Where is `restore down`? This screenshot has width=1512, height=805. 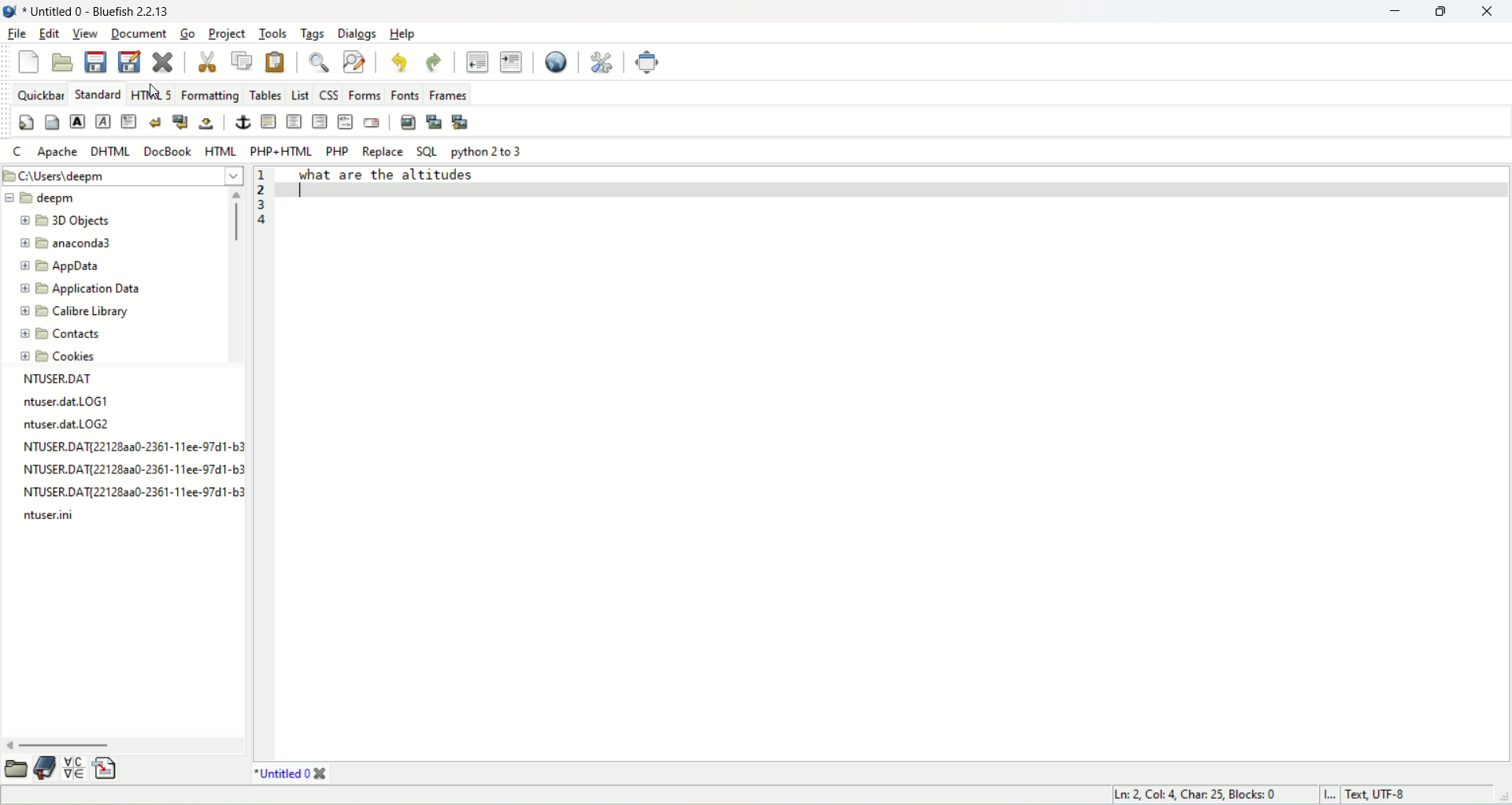
restore down is located at coordinates (1440, 11).